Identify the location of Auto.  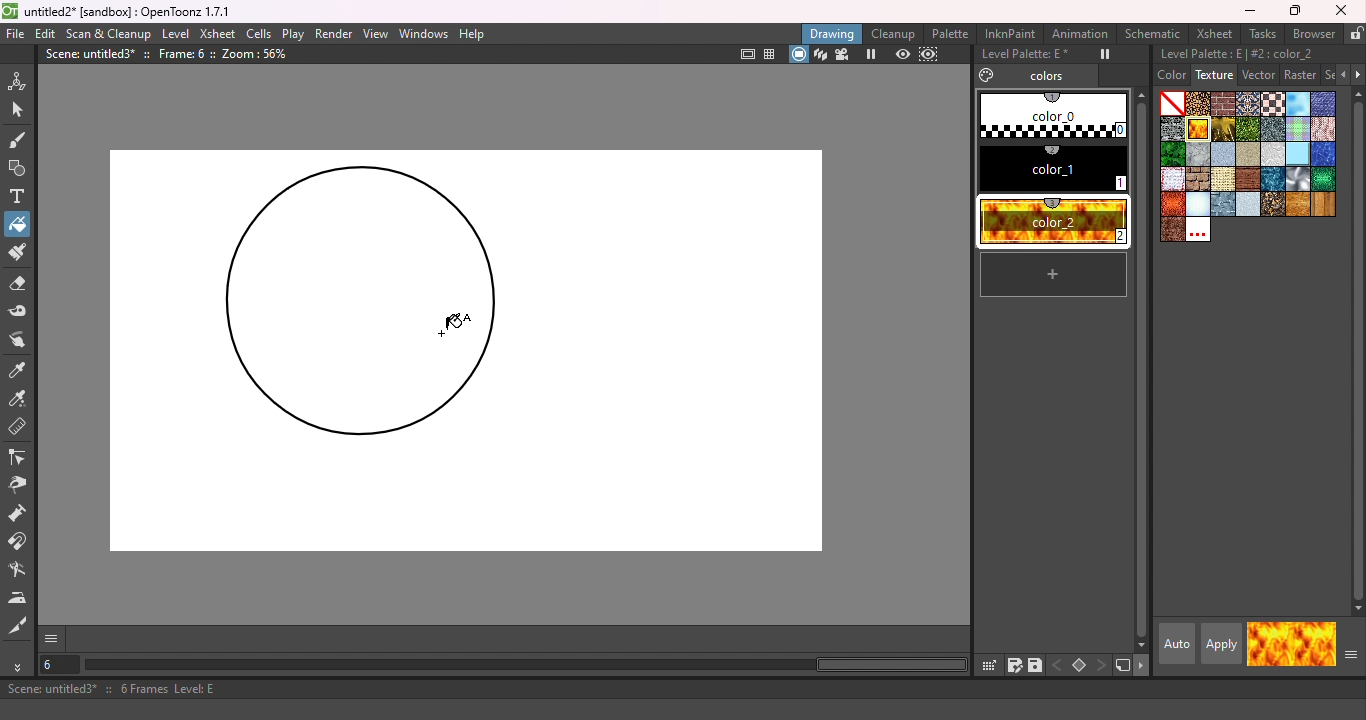
(1175, 644).